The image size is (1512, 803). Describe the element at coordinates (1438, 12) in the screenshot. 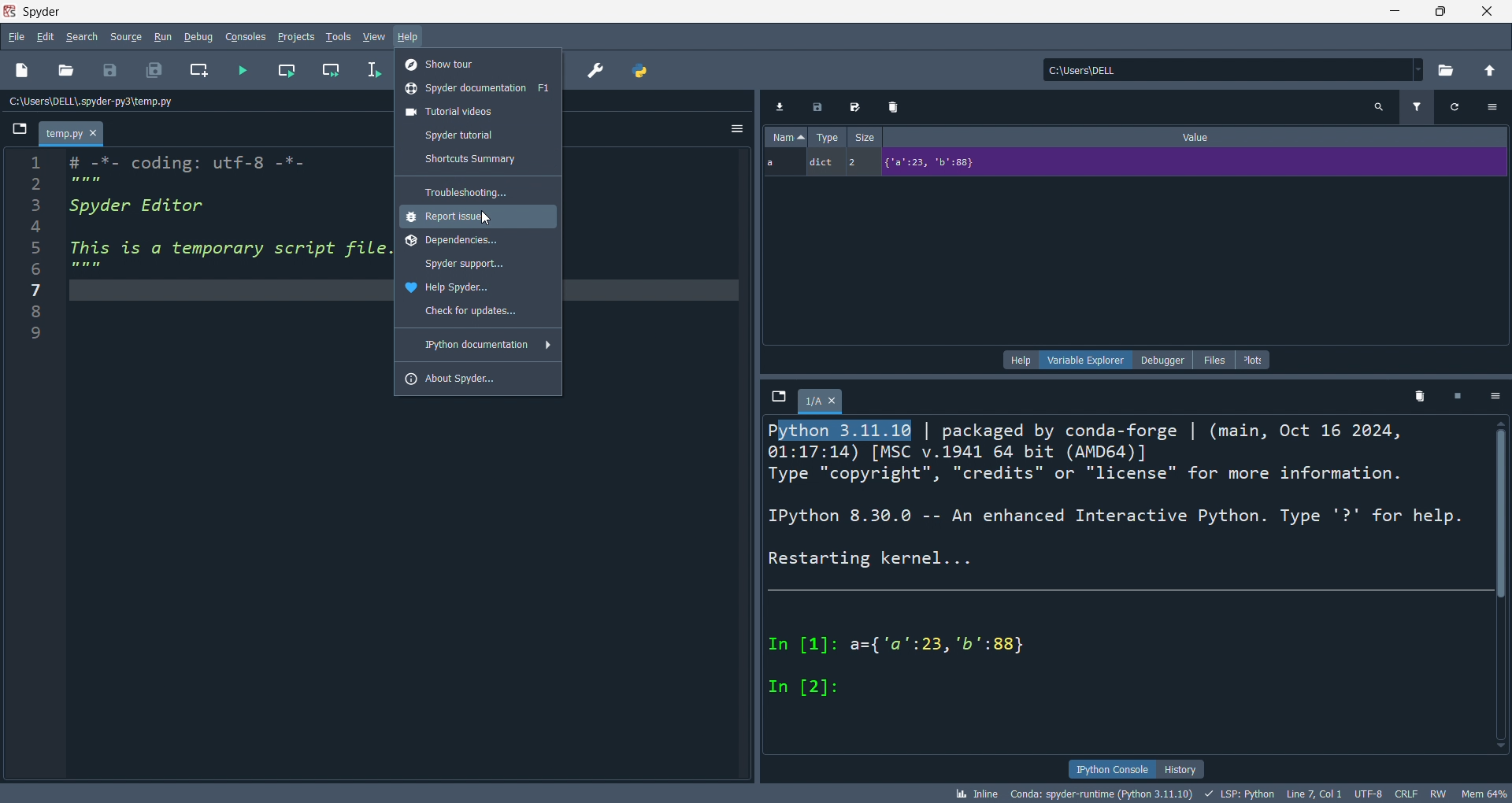

I see `maximize` at that location.